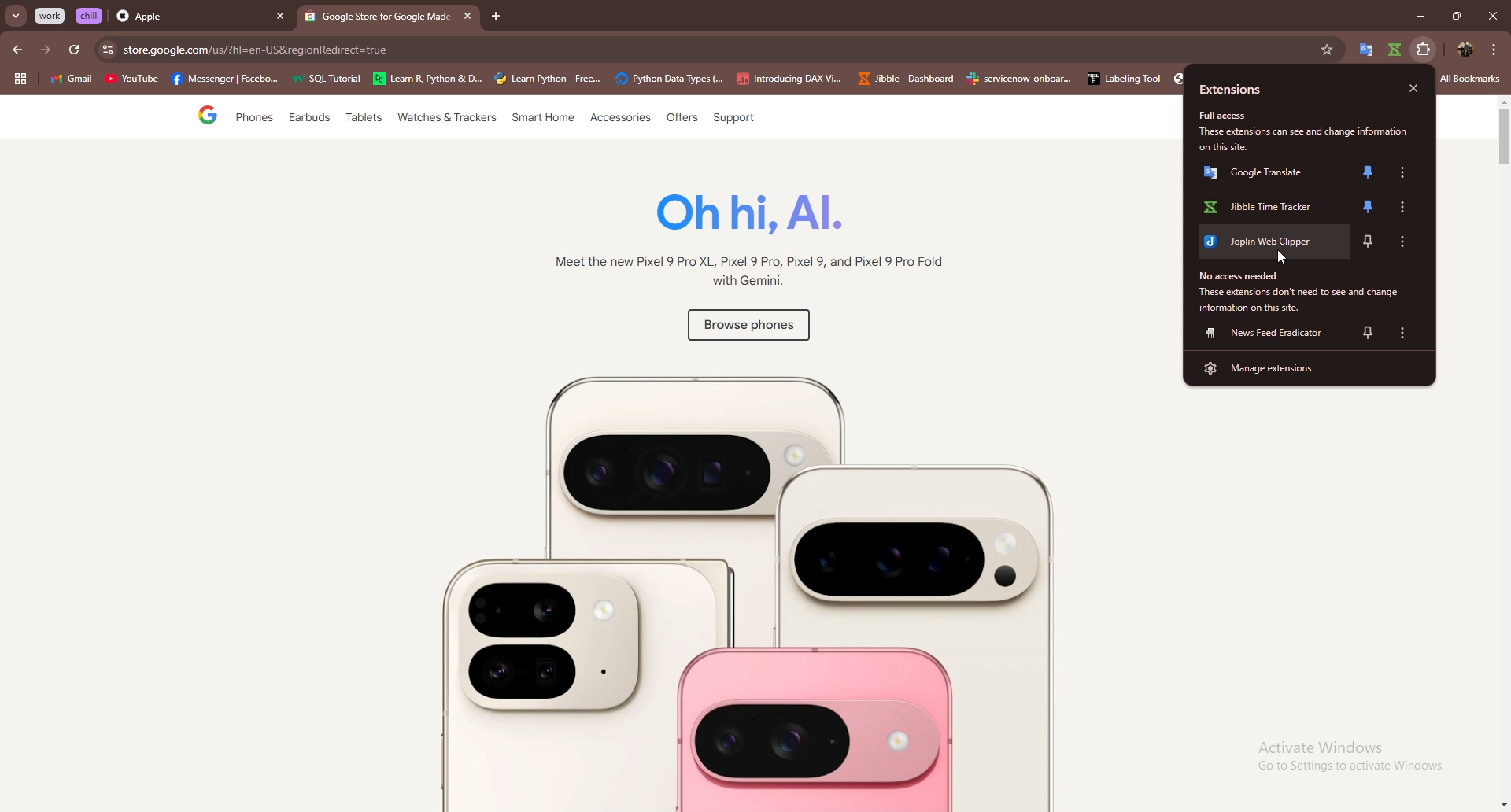 This screenshot has height=812, width=1511. Describe the element at coordinates (1367, 208) in the screenshot. I see `unpin/pin` at that location.